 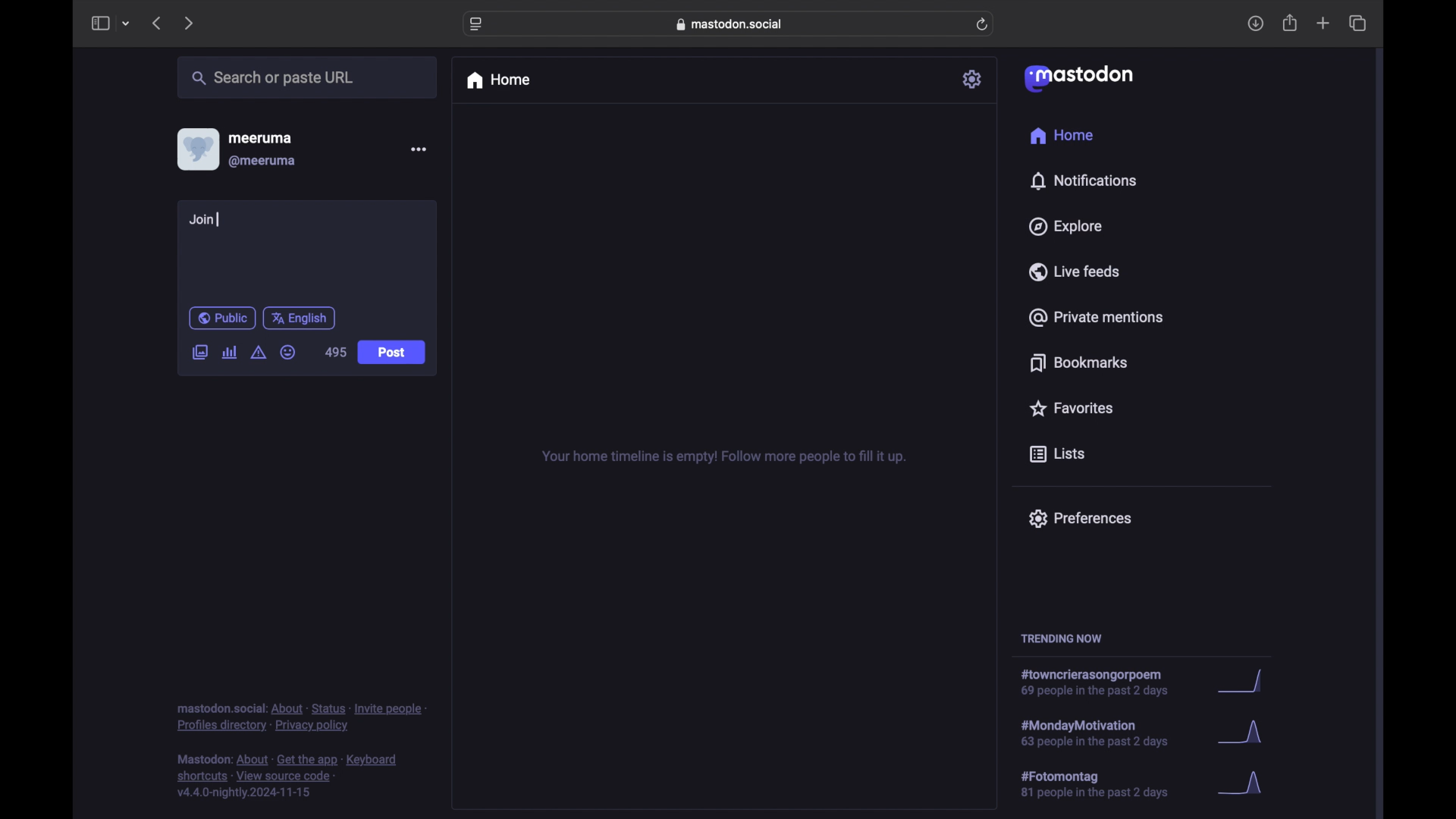 I want to click on hashtag trend, so click(x=1105, y=785).